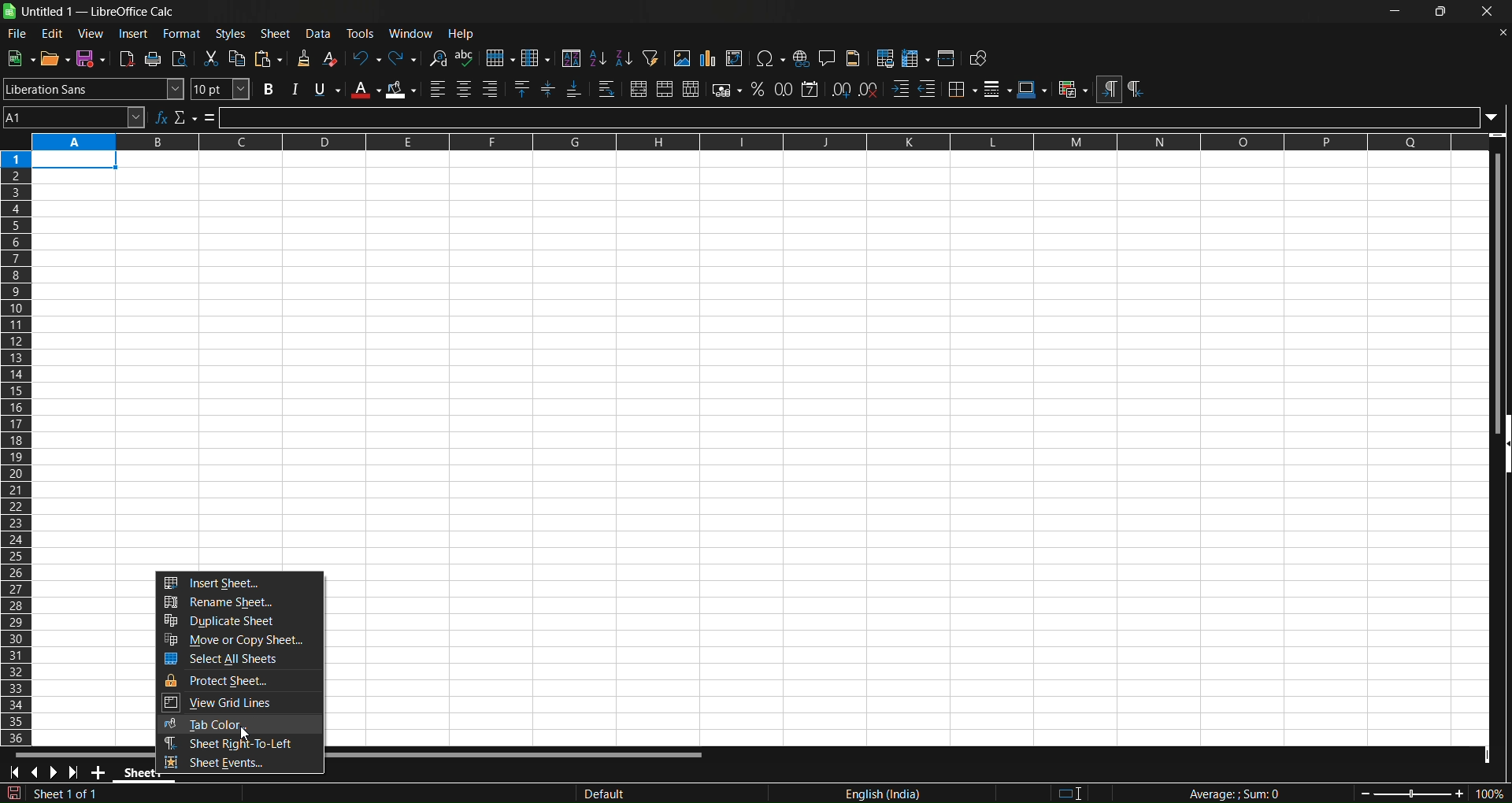  Describe the element at coordinates (221, 89) in the screenshot. I see `font size` at that location.